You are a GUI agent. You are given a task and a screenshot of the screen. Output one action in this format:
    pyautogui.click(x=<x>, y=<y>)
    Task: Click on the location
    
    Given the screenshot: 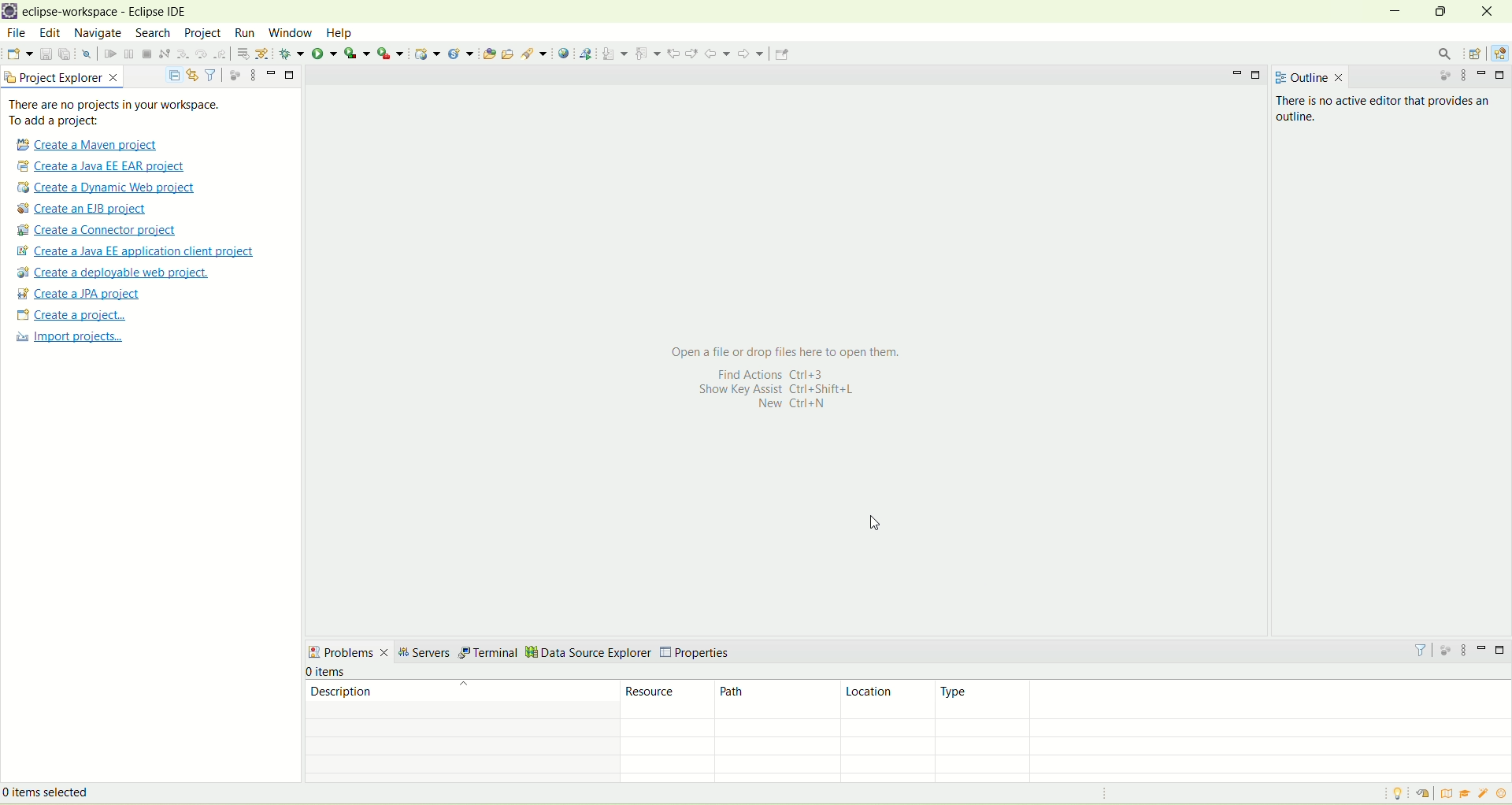 What is the action you would take?
    pyautogui.click(x=888, y=700)
    